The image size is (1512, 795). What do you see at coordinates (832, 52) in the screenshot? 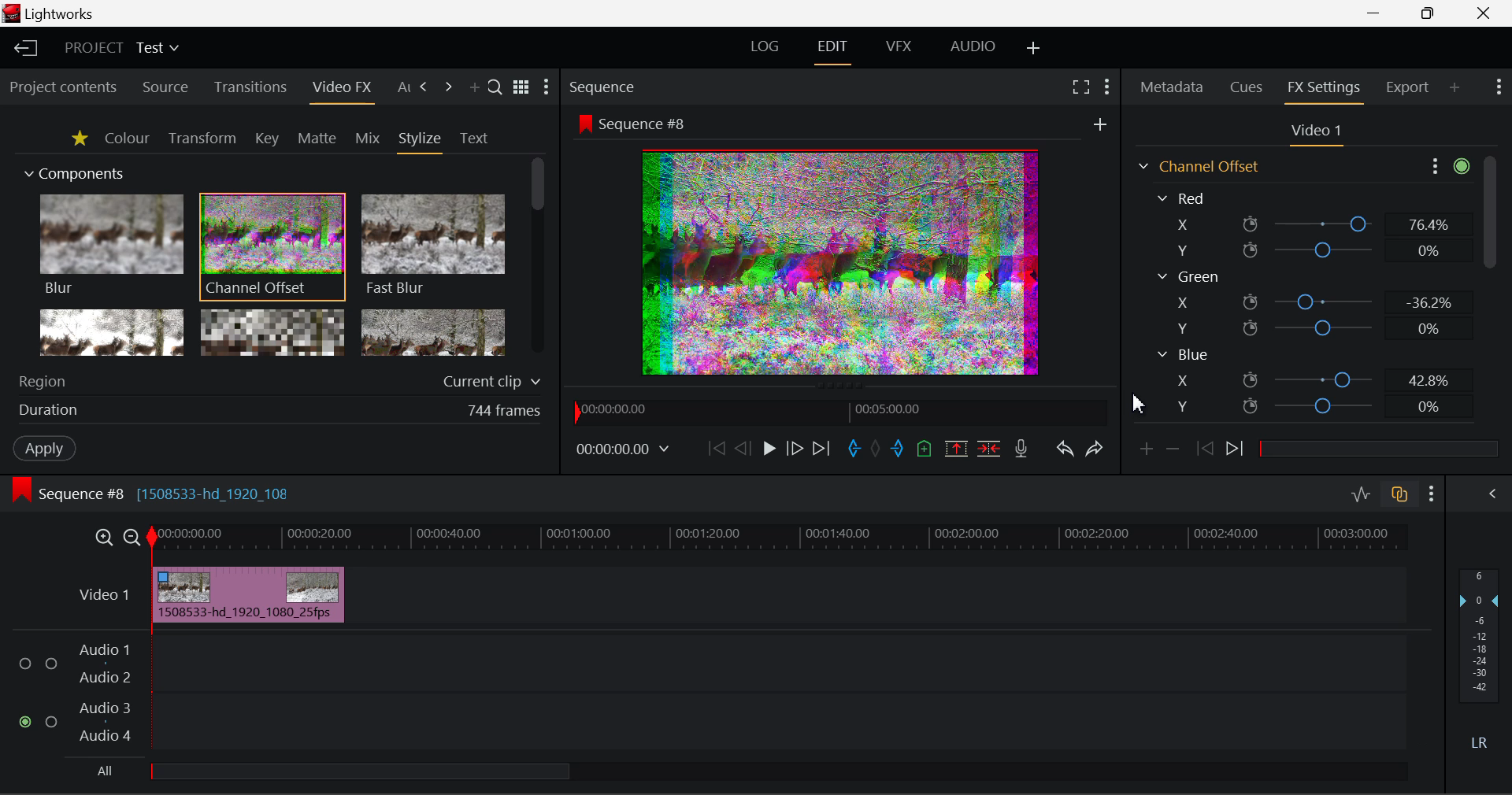
I see `Edit Layout Open` at bounding box center [832, 52].